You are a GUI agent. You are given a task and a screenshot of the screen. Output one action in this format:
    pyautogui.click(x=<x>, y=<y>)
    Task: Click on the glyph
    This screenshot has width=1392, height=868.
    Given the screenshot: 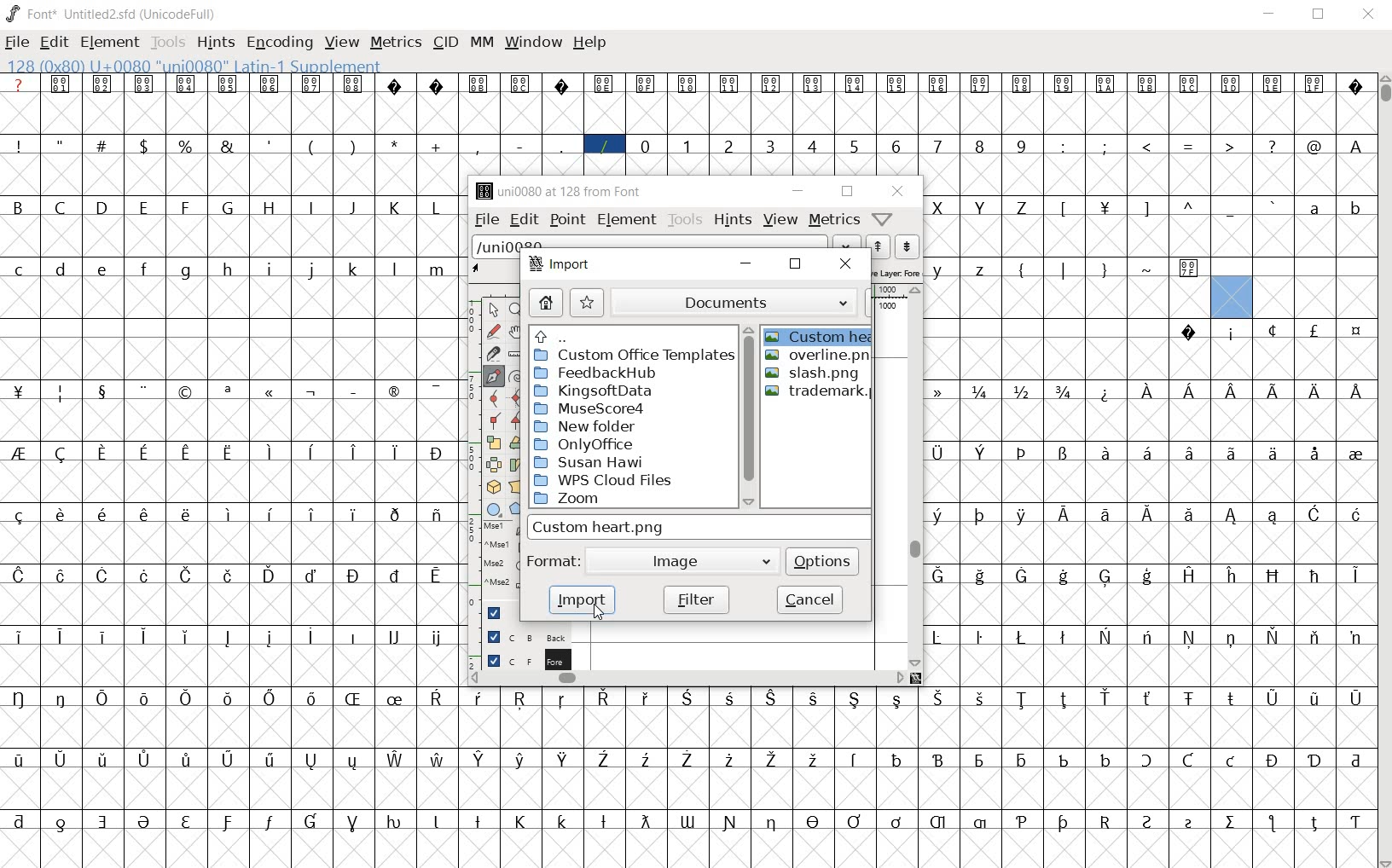 What is the action you would take?
    pyautogui.click(x=1147, y=452)
    